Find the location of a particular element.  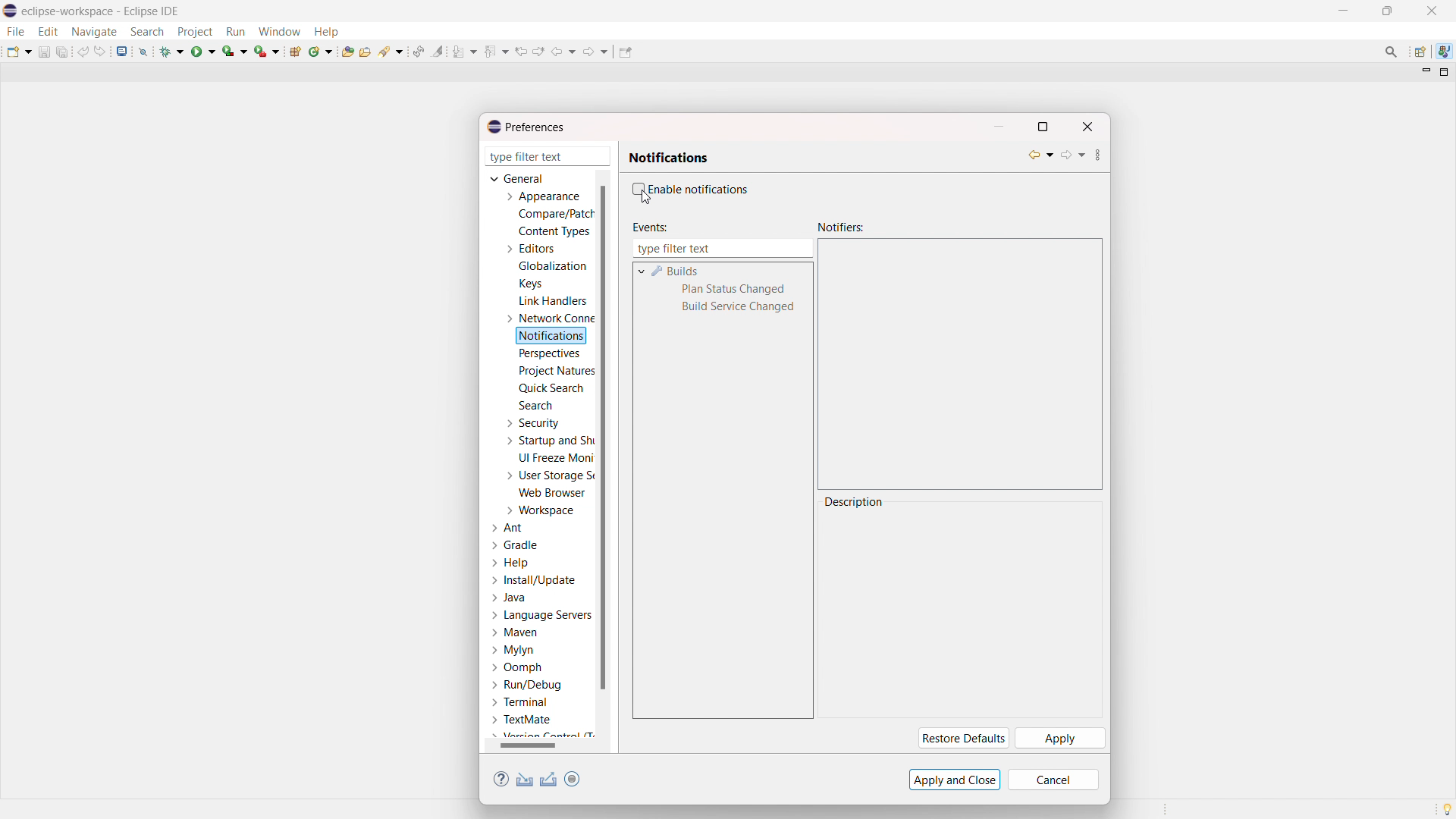

toggle ant mark occurances is located at coordinates (438, 51).